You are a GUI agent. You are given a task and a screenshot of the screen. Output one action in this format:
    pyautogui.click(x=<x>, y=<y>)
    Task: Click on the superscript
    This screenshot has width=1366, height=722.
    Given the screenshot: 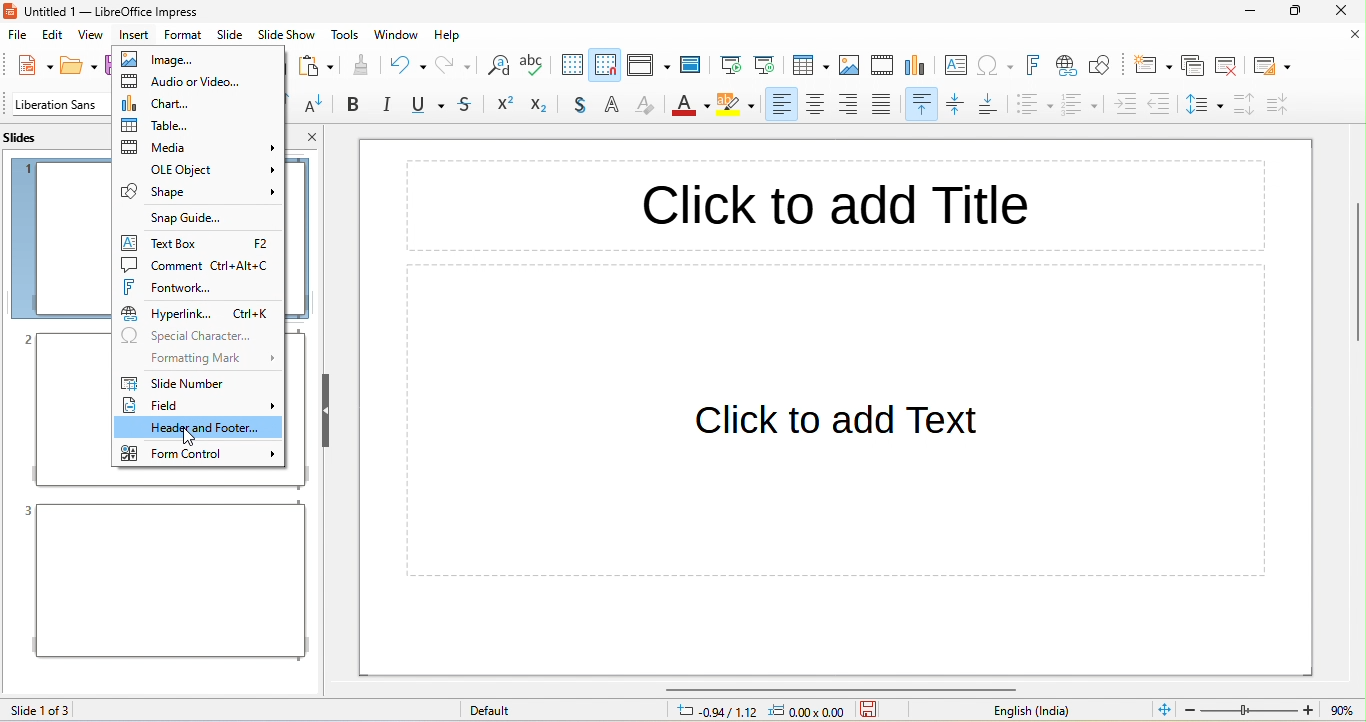 What is the action you would take?
    pyautogui.click(x=503, y=105)
    